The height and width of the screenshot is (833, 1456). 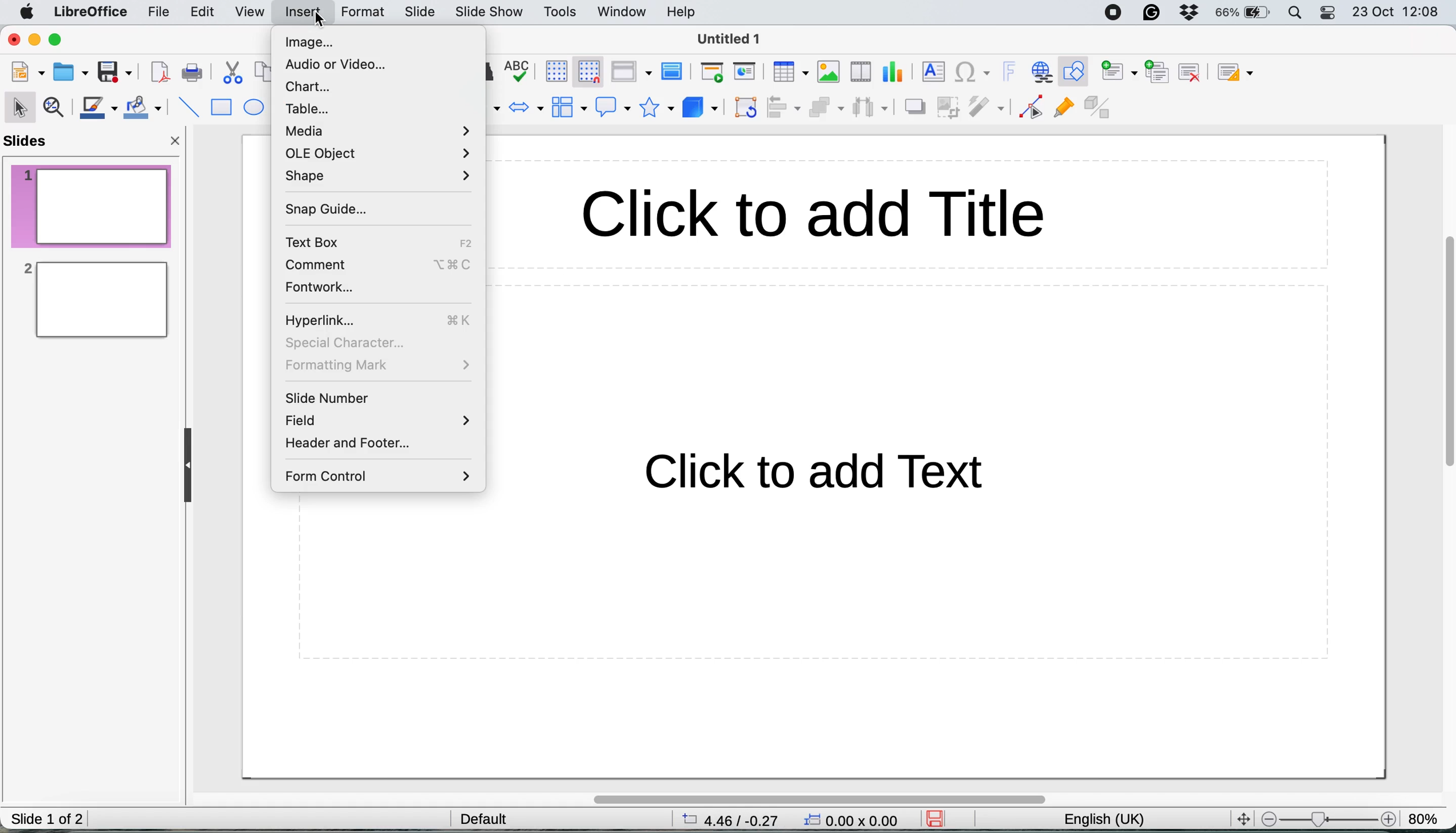 I want to click on view, so click(x=253, y=11).